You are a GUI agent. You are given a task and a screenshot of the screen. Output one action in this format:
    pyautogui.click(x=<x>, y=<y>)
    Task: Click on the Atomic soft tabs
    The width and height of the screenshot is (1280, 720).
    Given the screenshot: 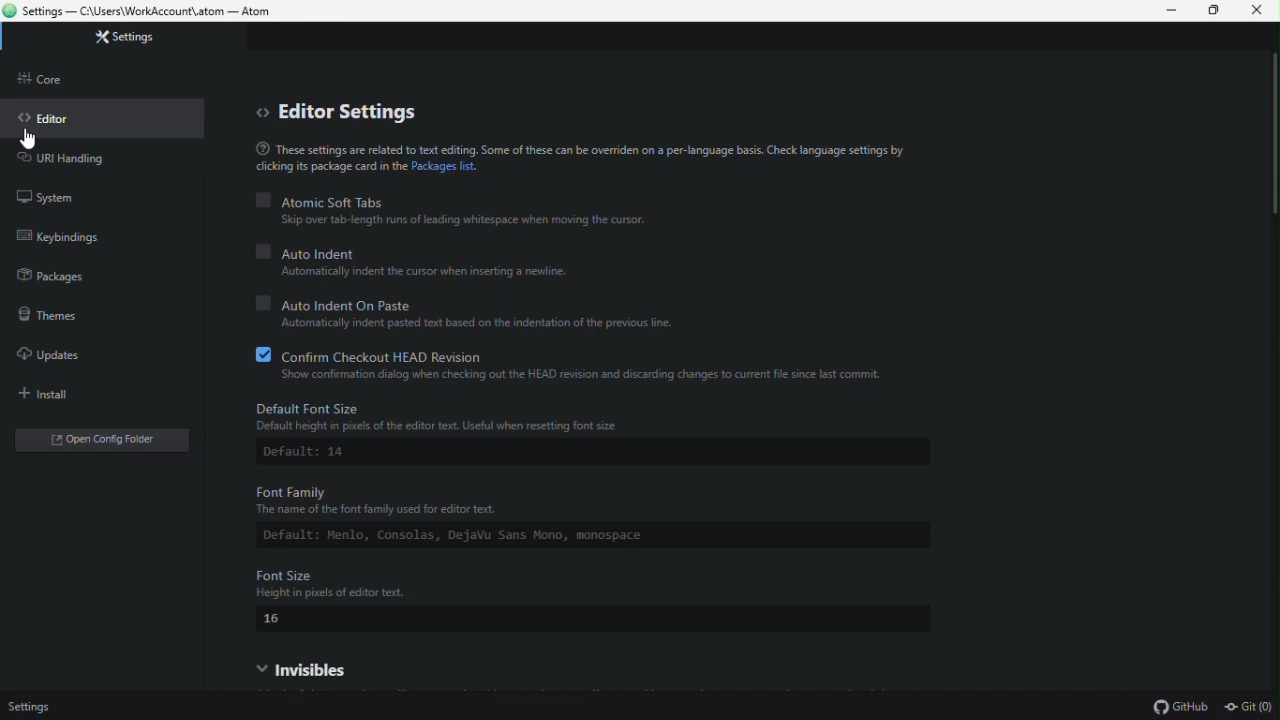 What is the action you would take?
    pyautogui.click(x=450, y=200)
    